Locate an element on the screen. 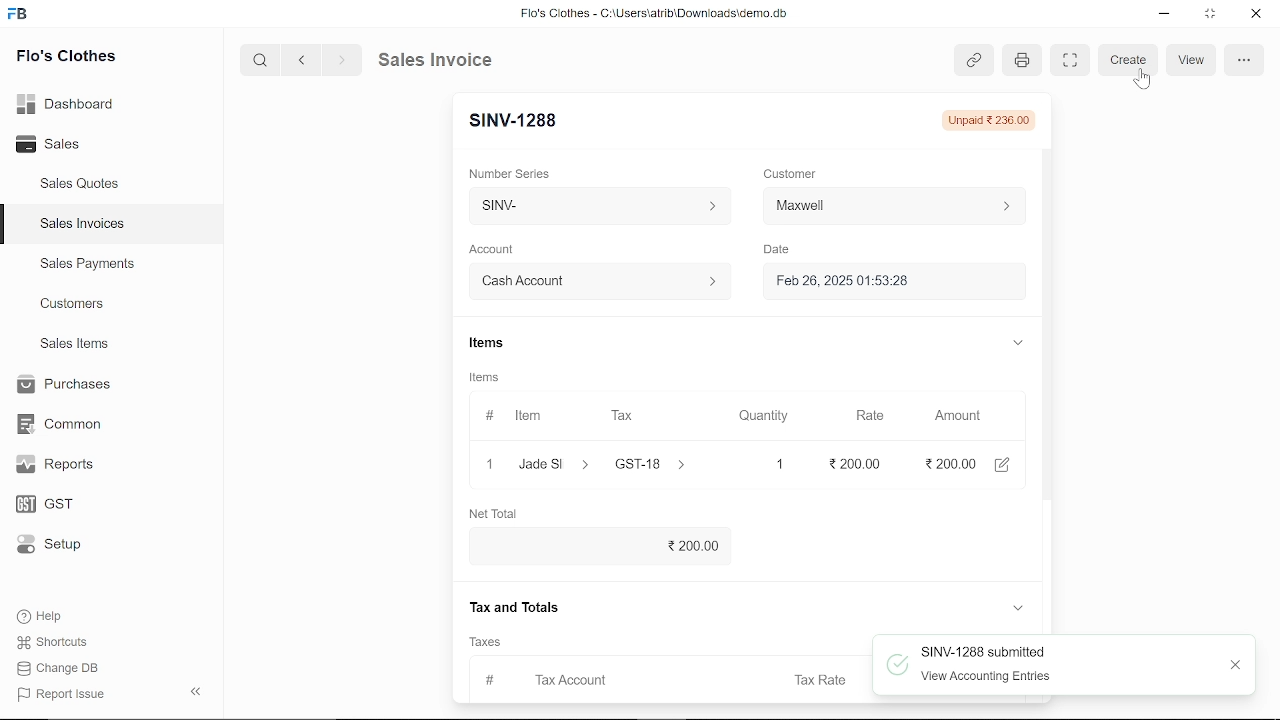 The height and width of the screenshot is (720, 1280). | Report Issue: is located at coordinates (64, 694).